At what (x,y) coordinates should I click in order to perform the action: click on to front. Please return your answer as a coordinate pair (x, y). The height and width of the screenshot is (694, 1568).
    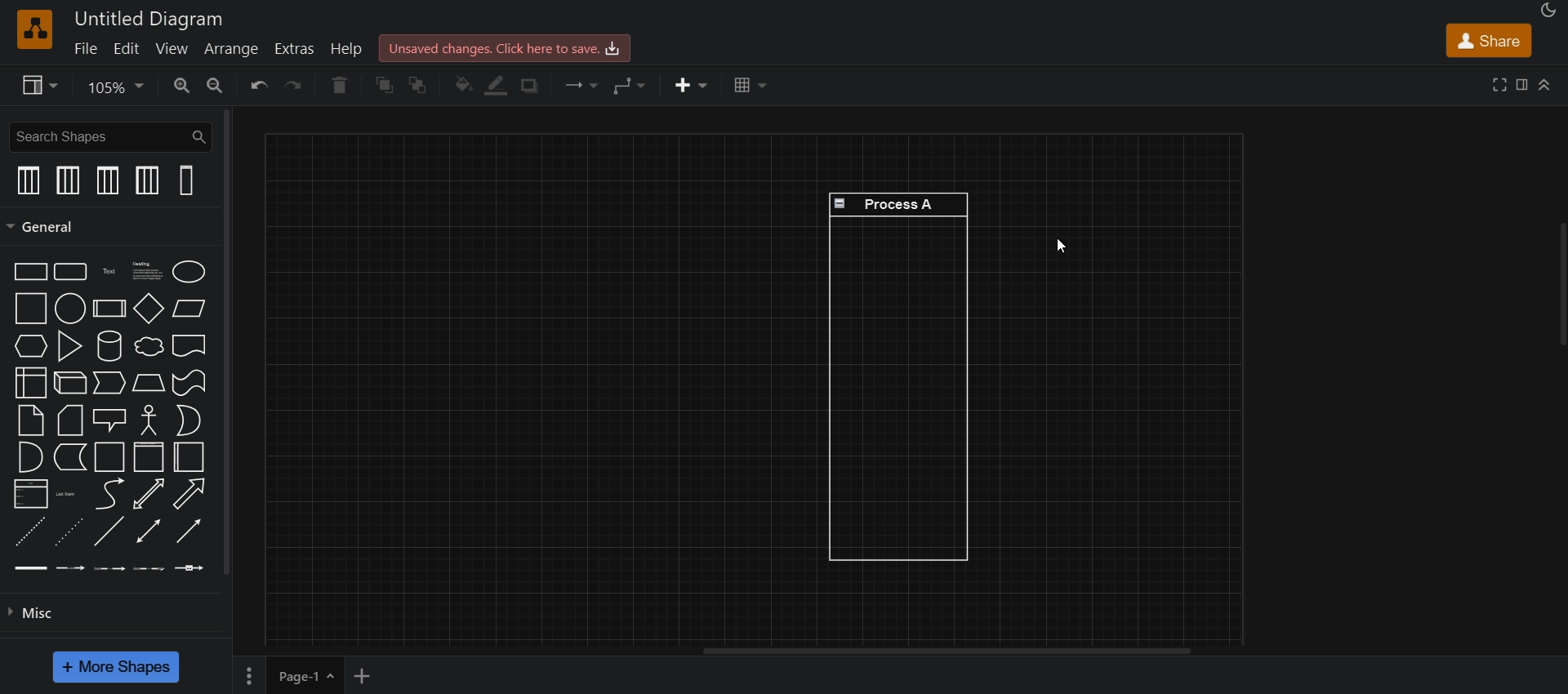
    Looking at the image, I should click on (385, 84).